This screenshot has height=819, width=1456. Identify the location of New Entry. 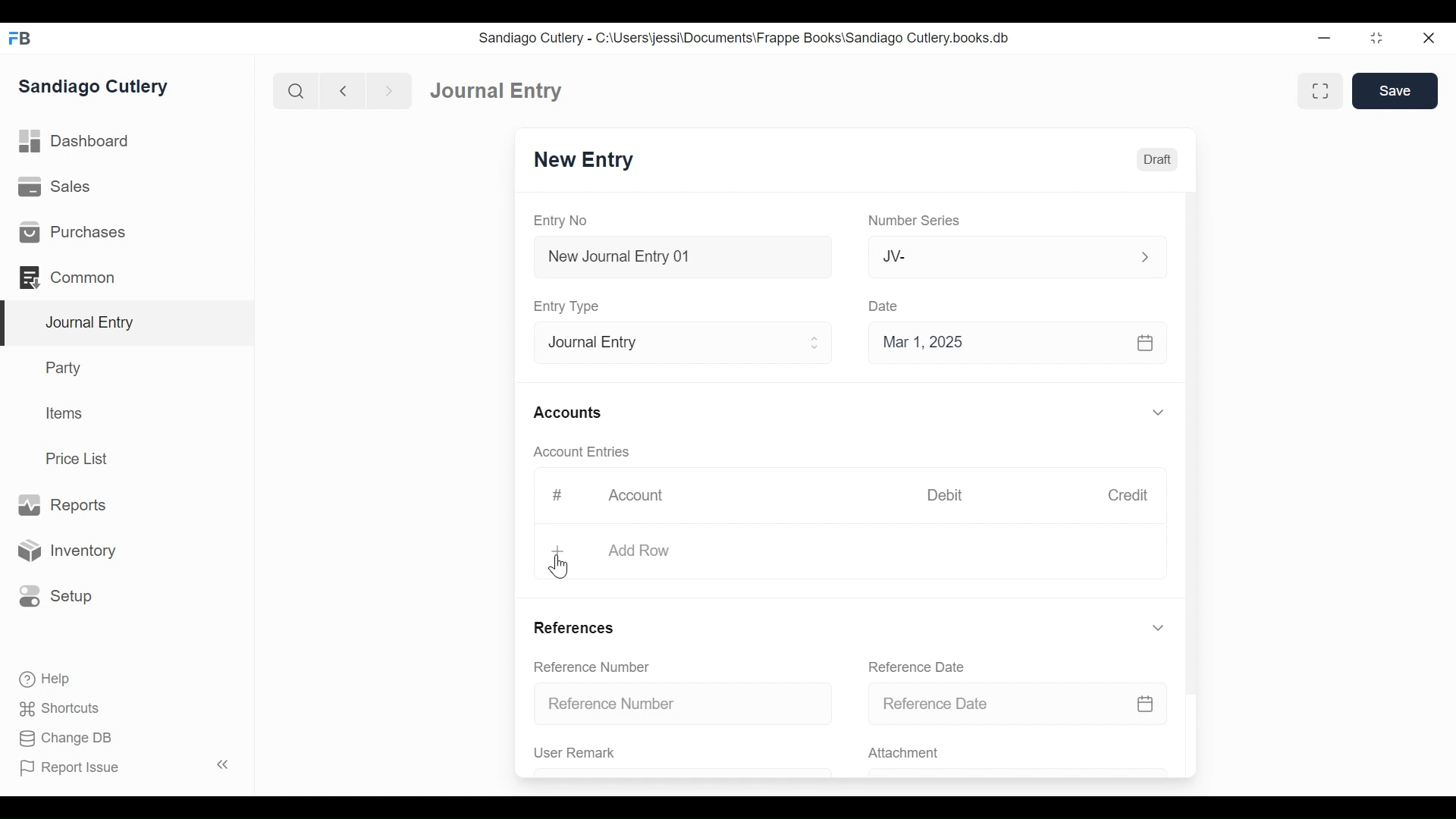
(585, 161).